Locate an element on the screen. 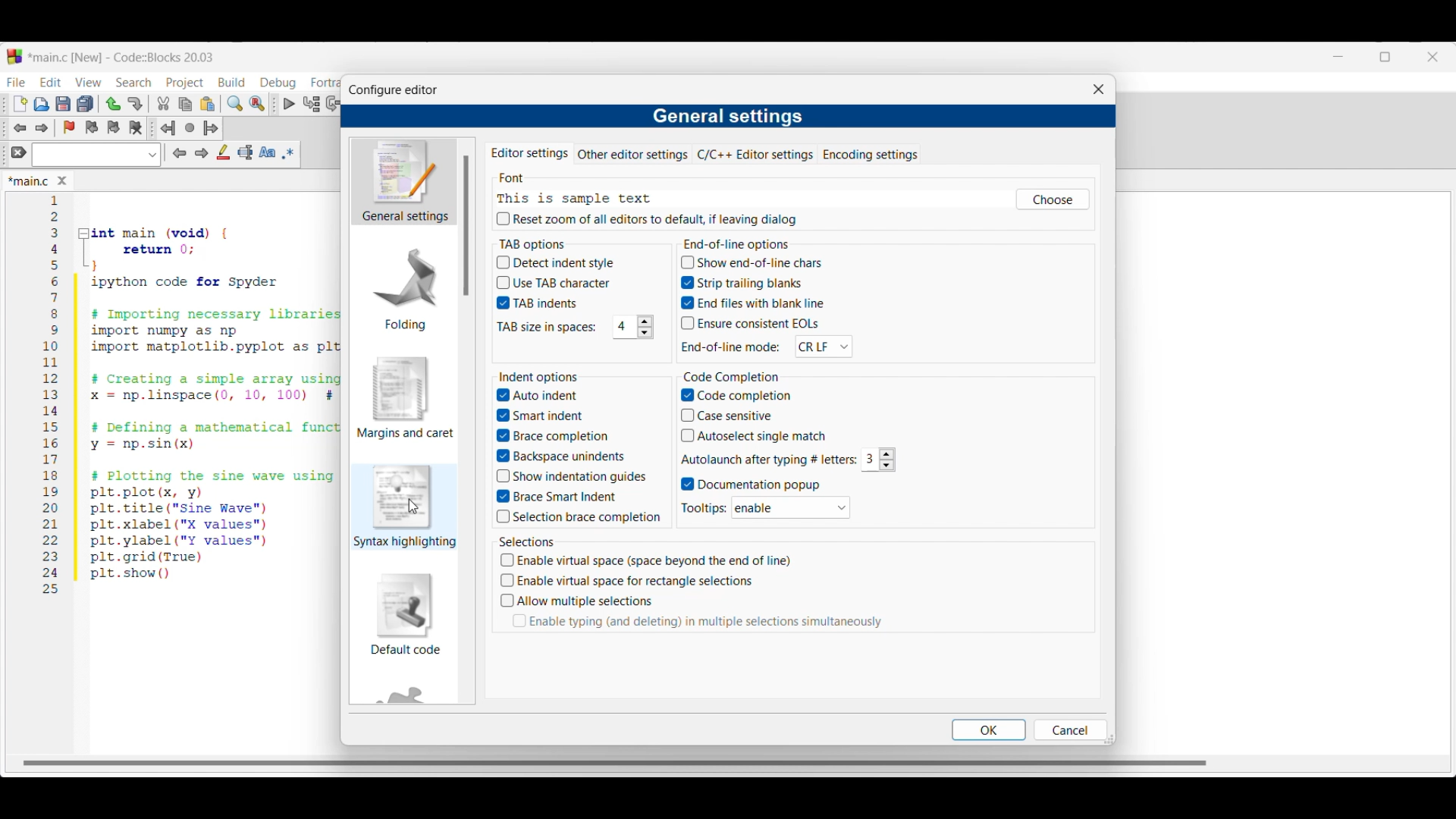 The width and height of the screenshot is (1456, 819). End-of-line options is located at coordinates (760, 242).